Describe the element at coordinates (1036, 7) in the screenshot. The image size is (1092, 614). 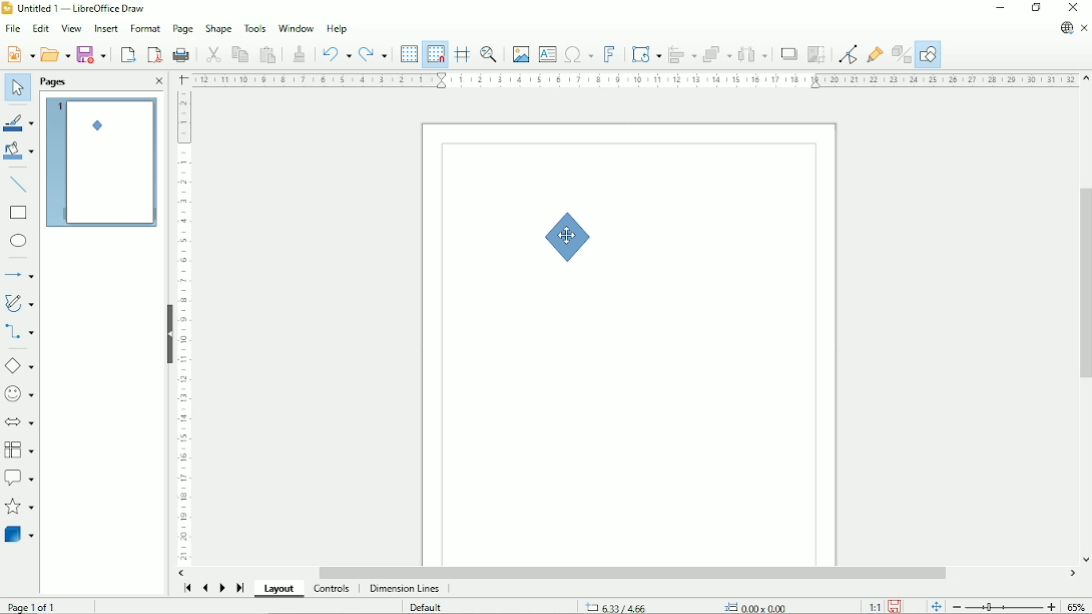
I see `Restore down` at that location.